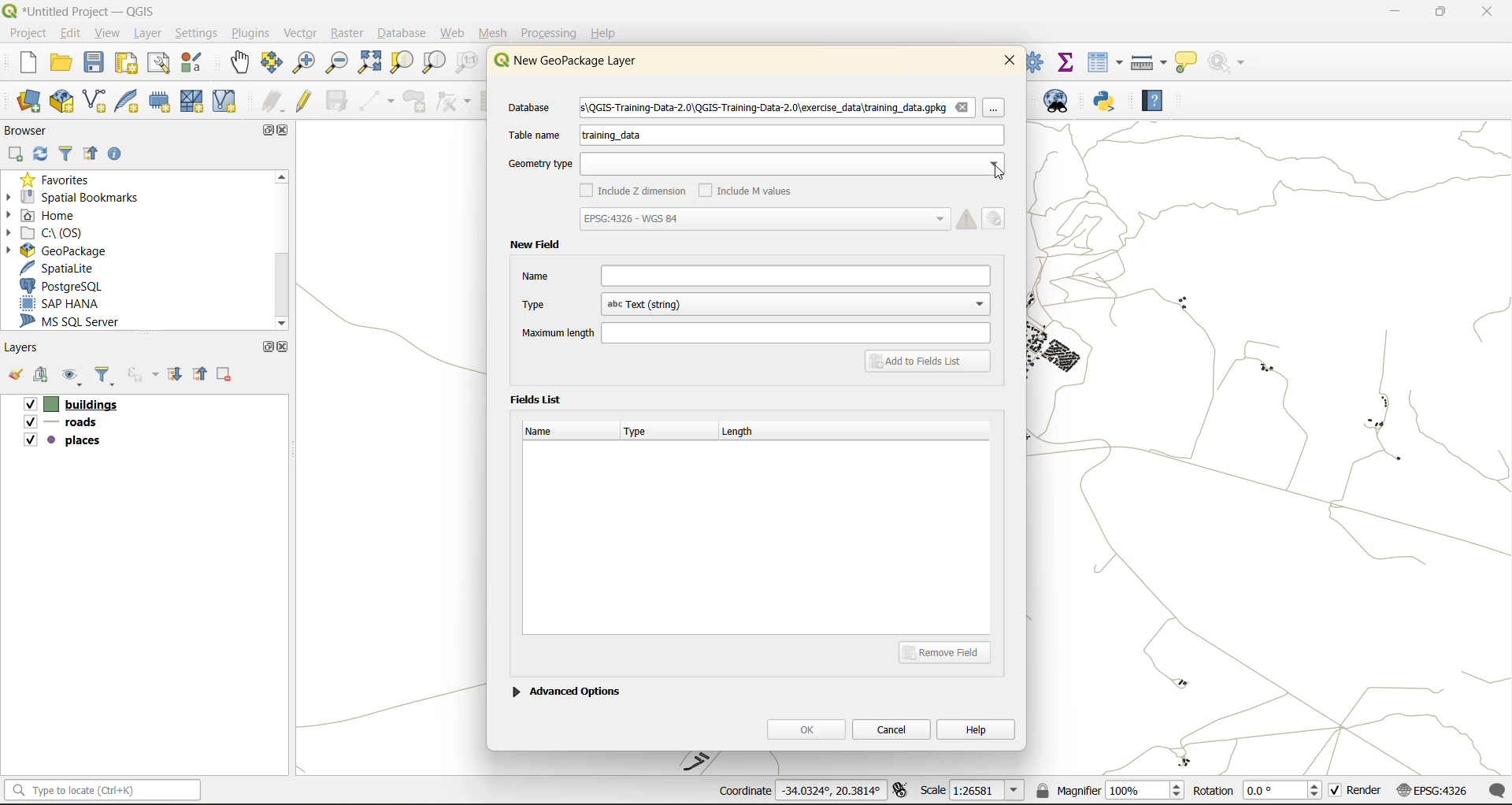  What do you see at coordinates (95, 102) in the screenshot?
I see `new shapefile layer` at bounding box center [95, 102].